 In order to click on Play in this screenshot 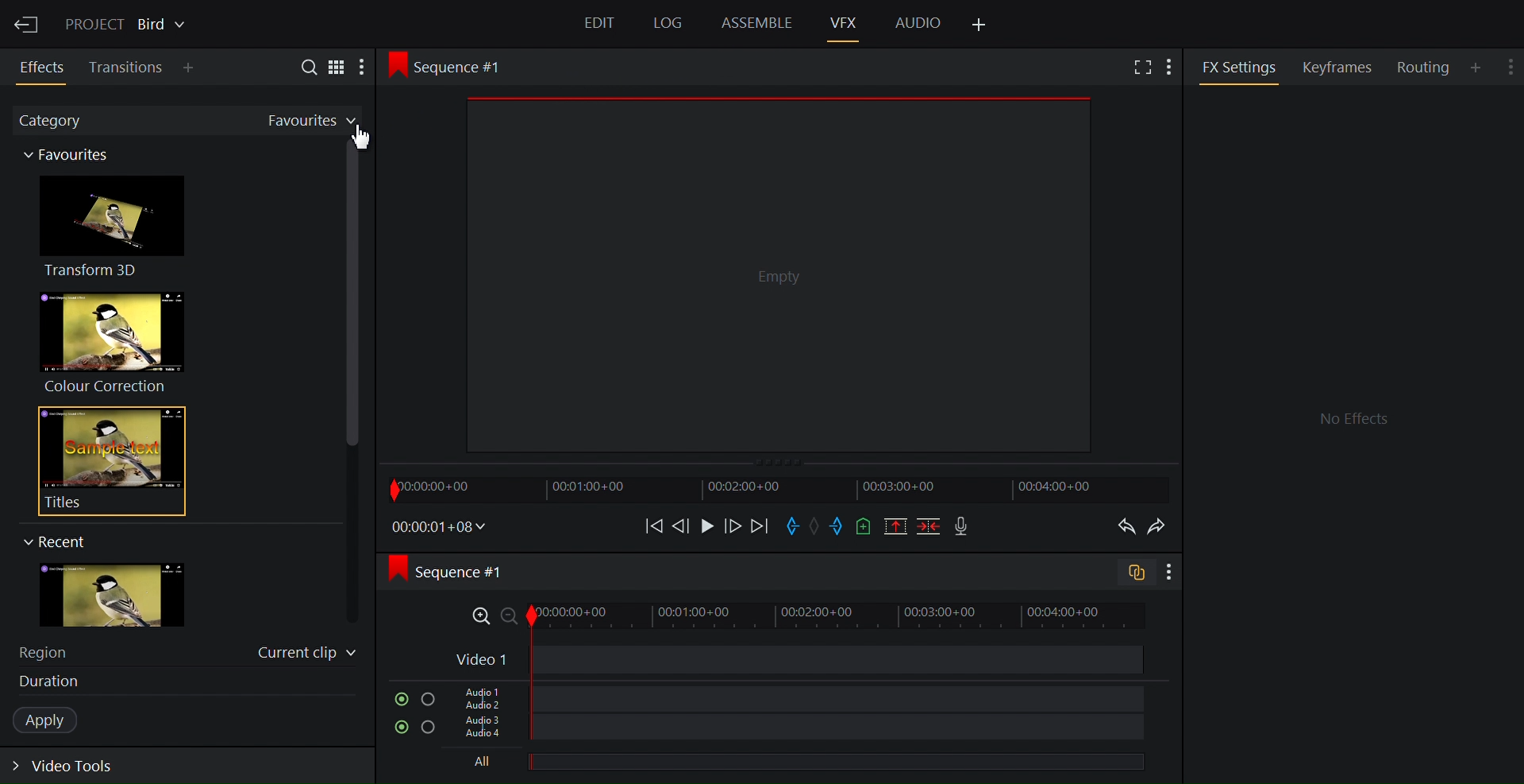, I will do `click(706, 525)`.